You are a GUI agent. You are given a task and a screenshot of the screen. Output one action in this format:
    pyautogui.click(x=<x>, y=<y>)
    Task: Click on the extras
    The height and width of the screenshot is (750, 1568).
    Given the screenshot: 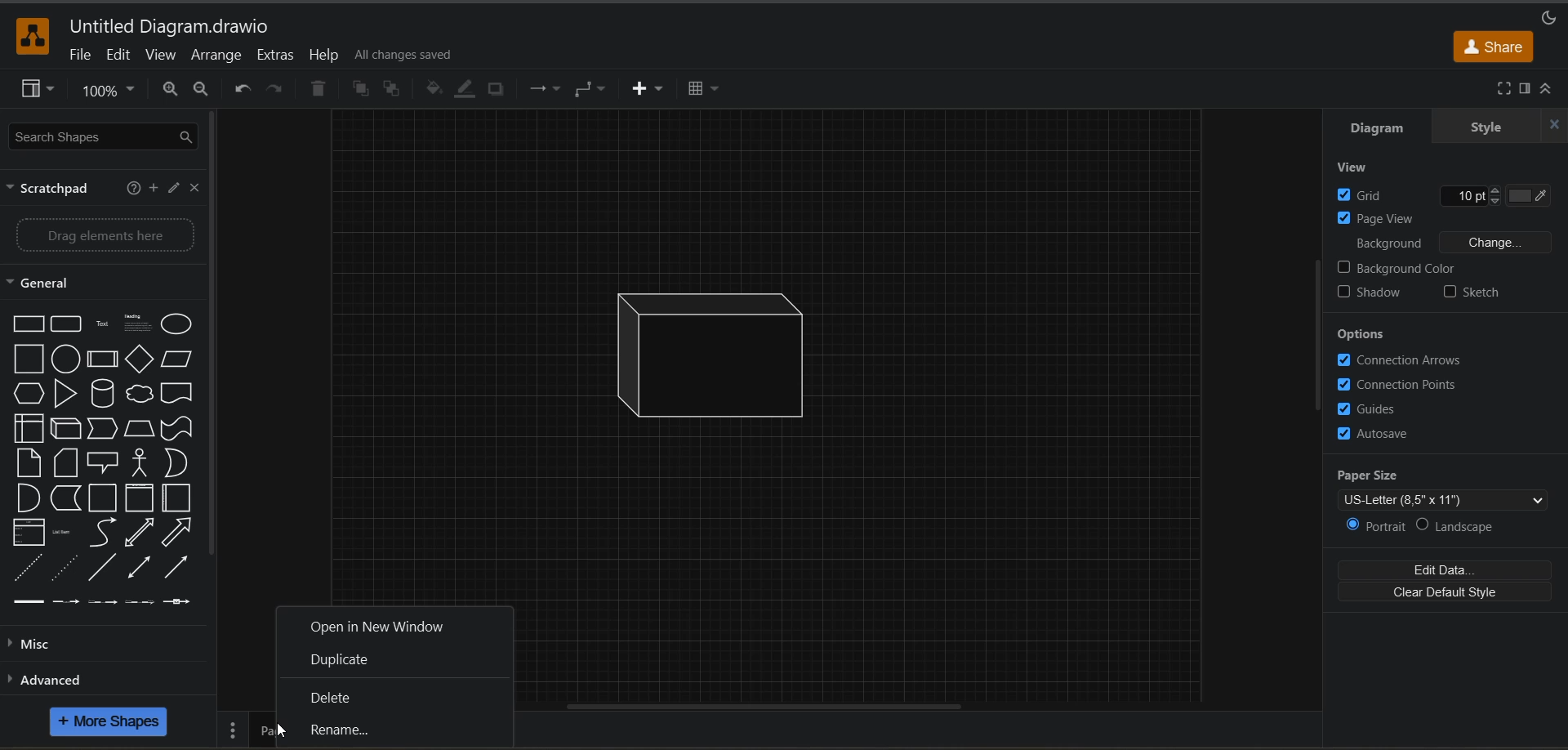 What is the action you would take?
    pyautogui.click(x=282, y=55)
    